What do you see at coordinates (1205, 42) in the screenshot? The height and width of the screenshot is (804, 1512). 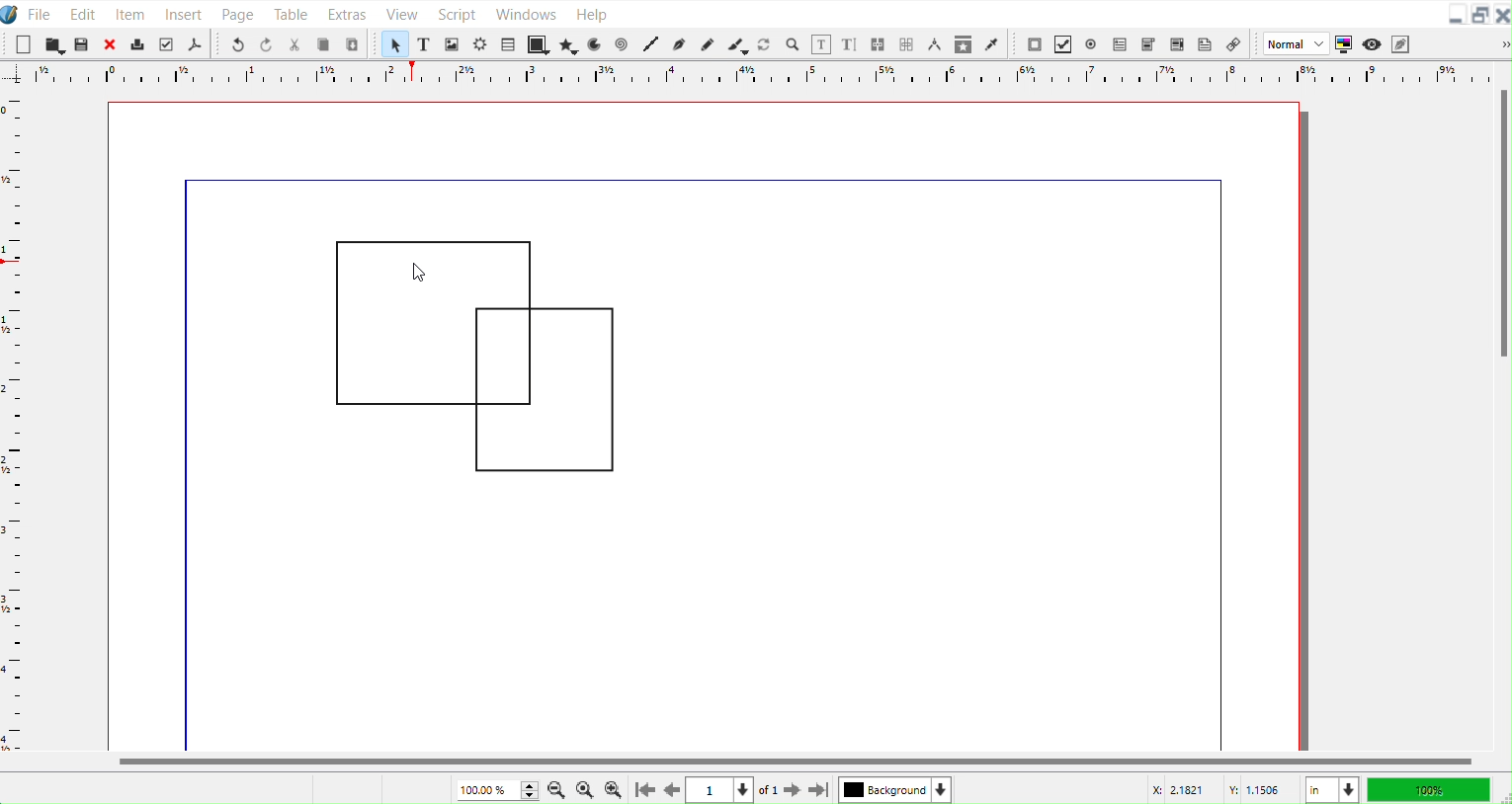 I see `Text Annotation` at bounding box center [1205, 42].